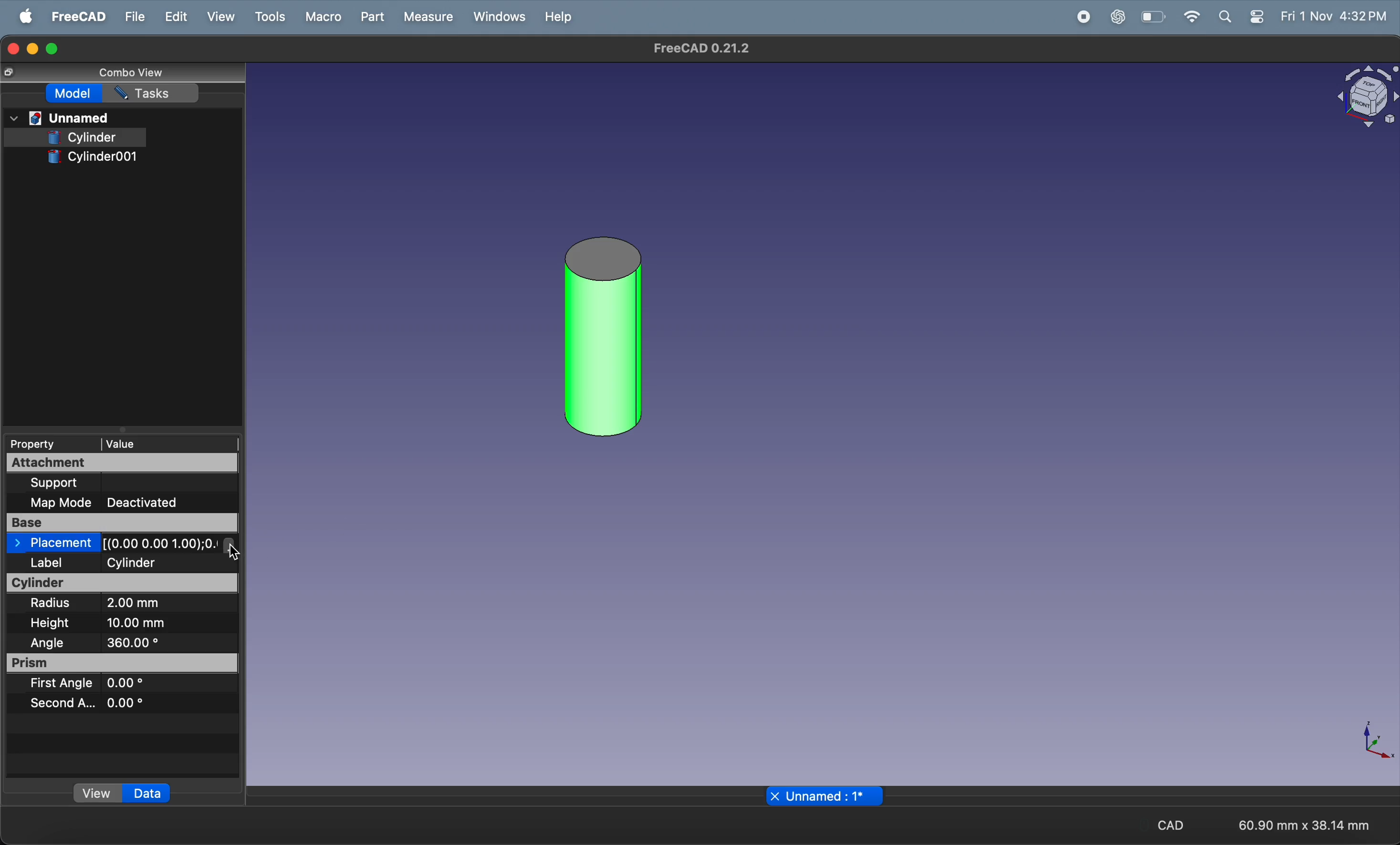  Describe the element at coordinates (120, 523) in the screenshot. I see `base` at that location.